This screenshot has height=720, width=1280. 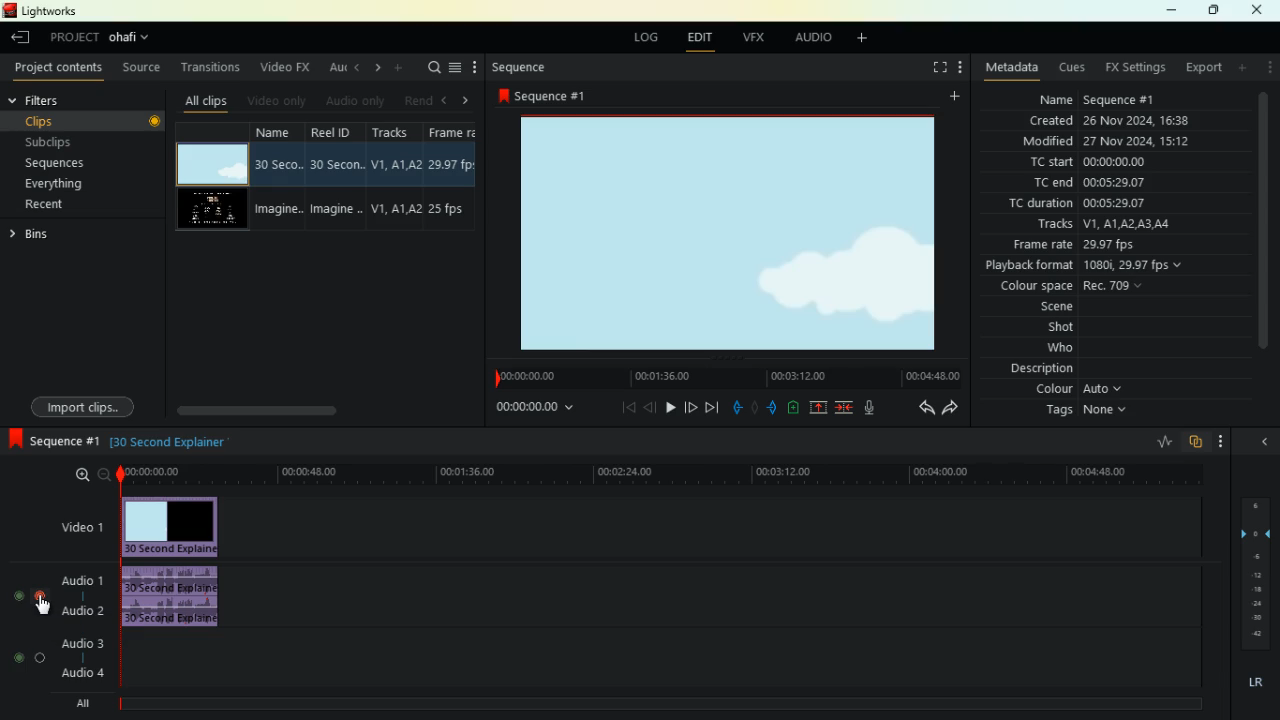 What do you see at coordinates (1074, 286) in the screenshot?
I see `colour space` at bounding box center [1074, 286].